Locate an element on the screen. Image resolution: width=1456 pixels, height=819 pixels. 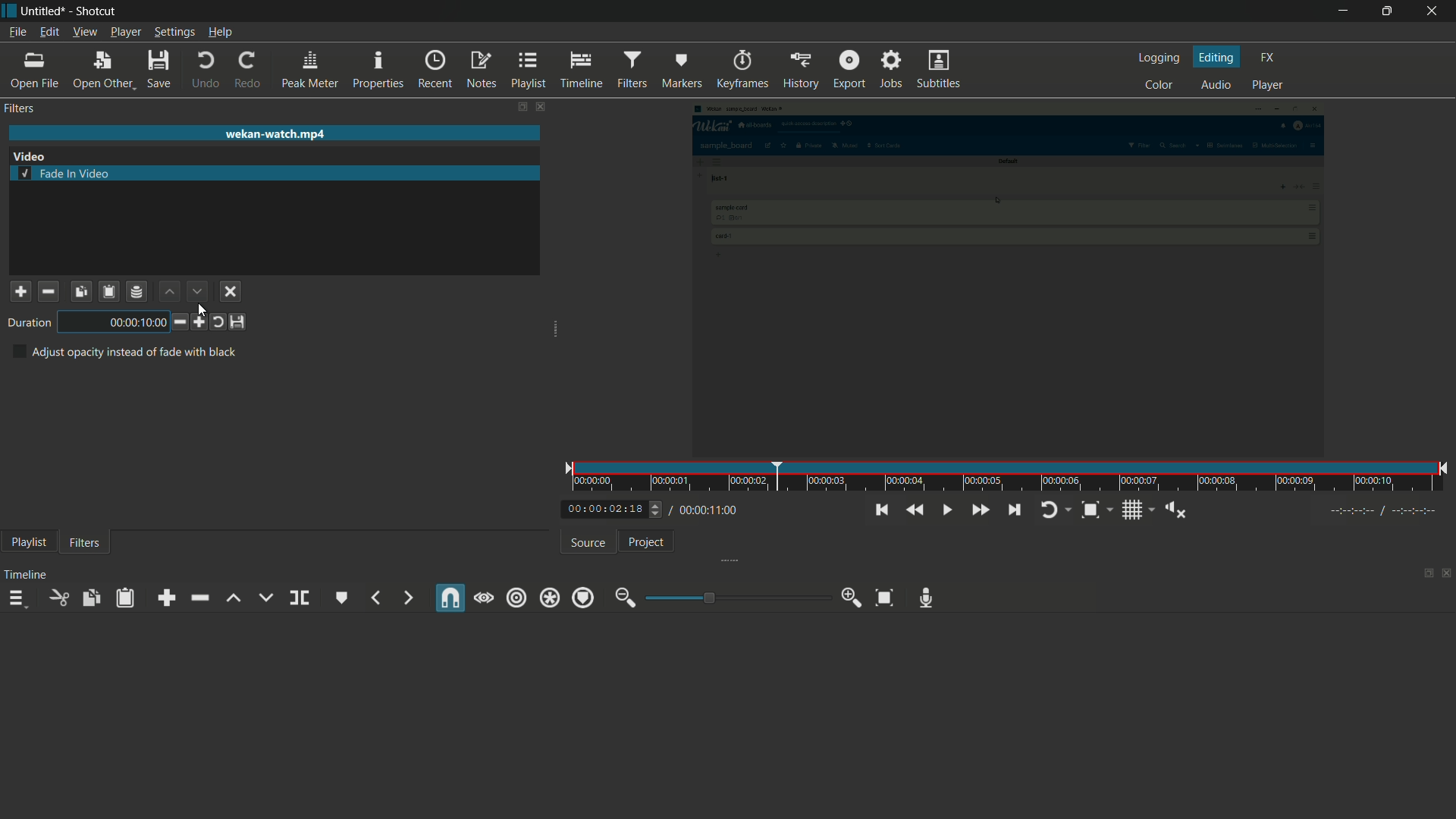
time is located at coordinates (1010, 477).